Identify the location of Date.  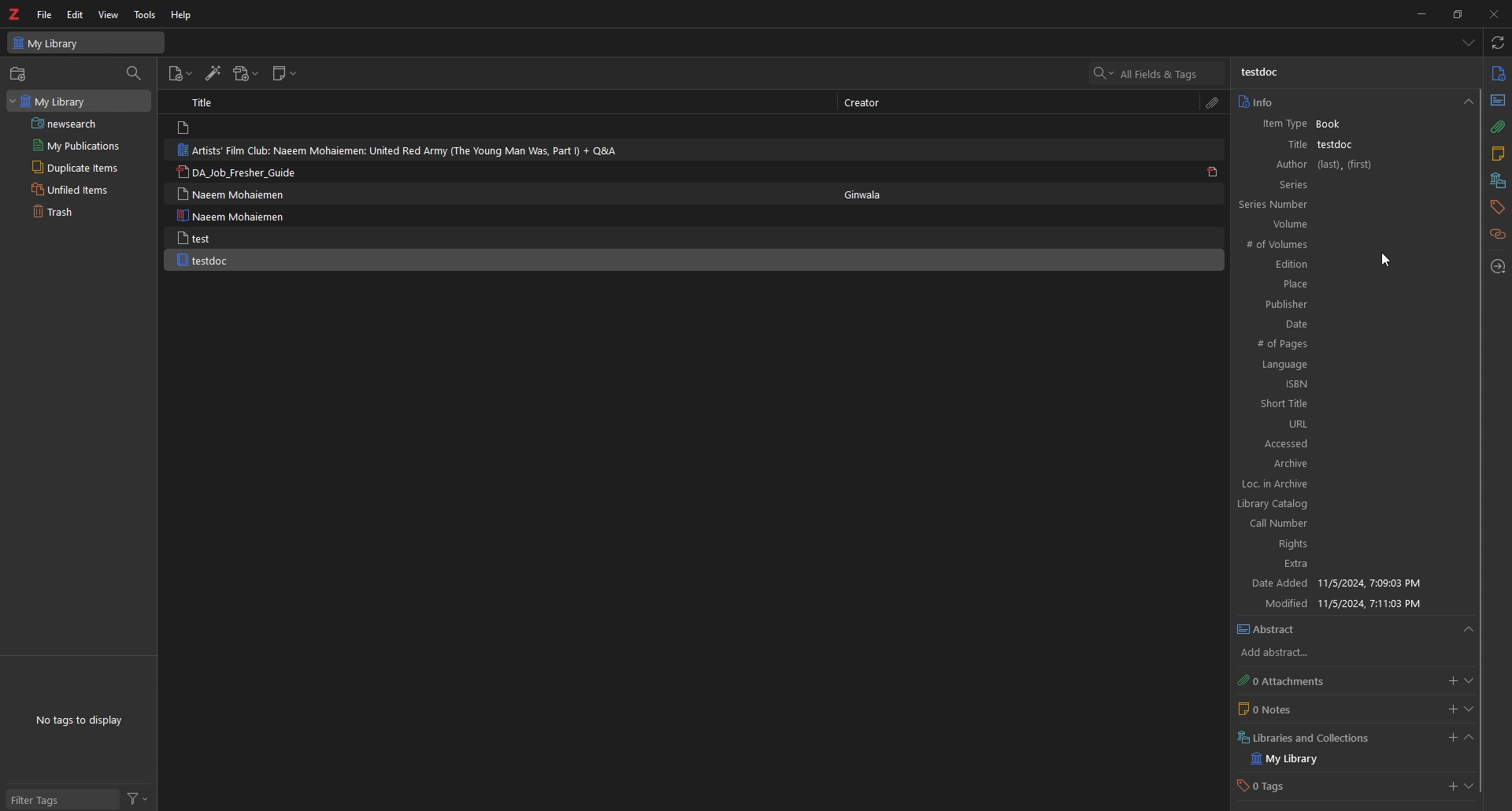
(1358, 325).